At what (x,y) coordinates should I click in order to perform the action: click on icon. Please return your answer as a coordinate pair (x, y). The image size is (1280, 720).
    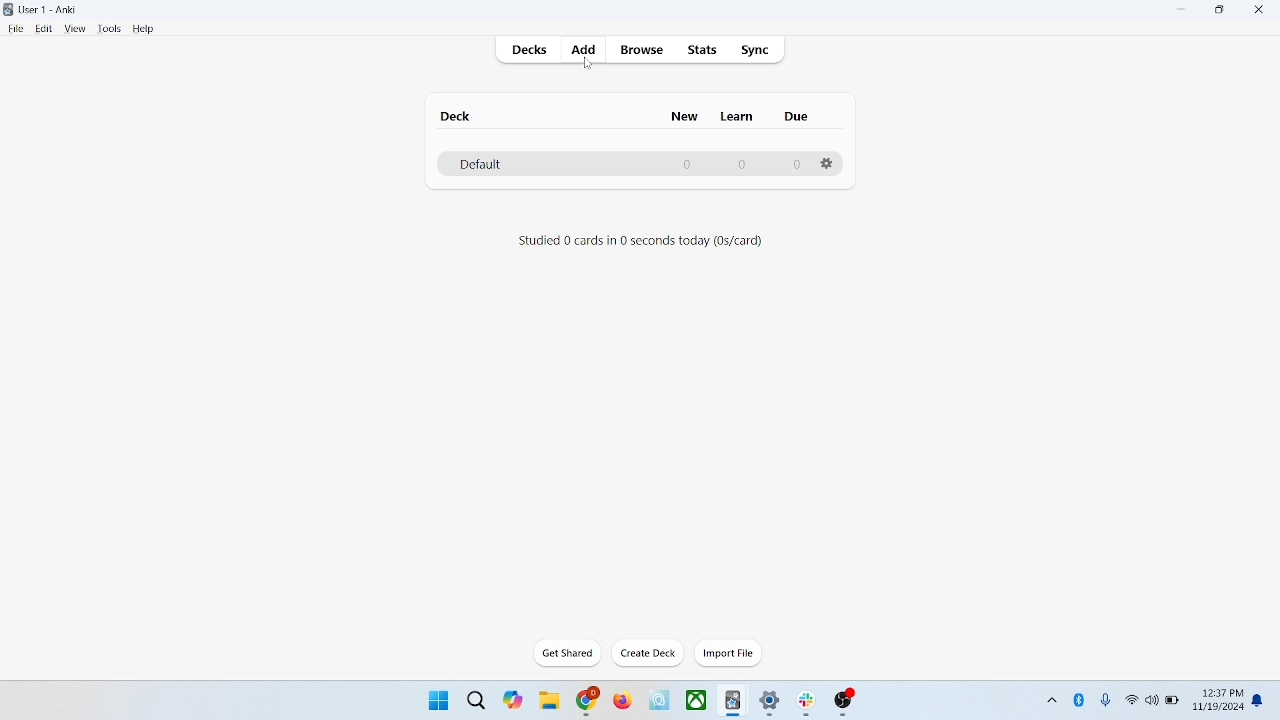
    Looking at the image, I should click on (734, 702).